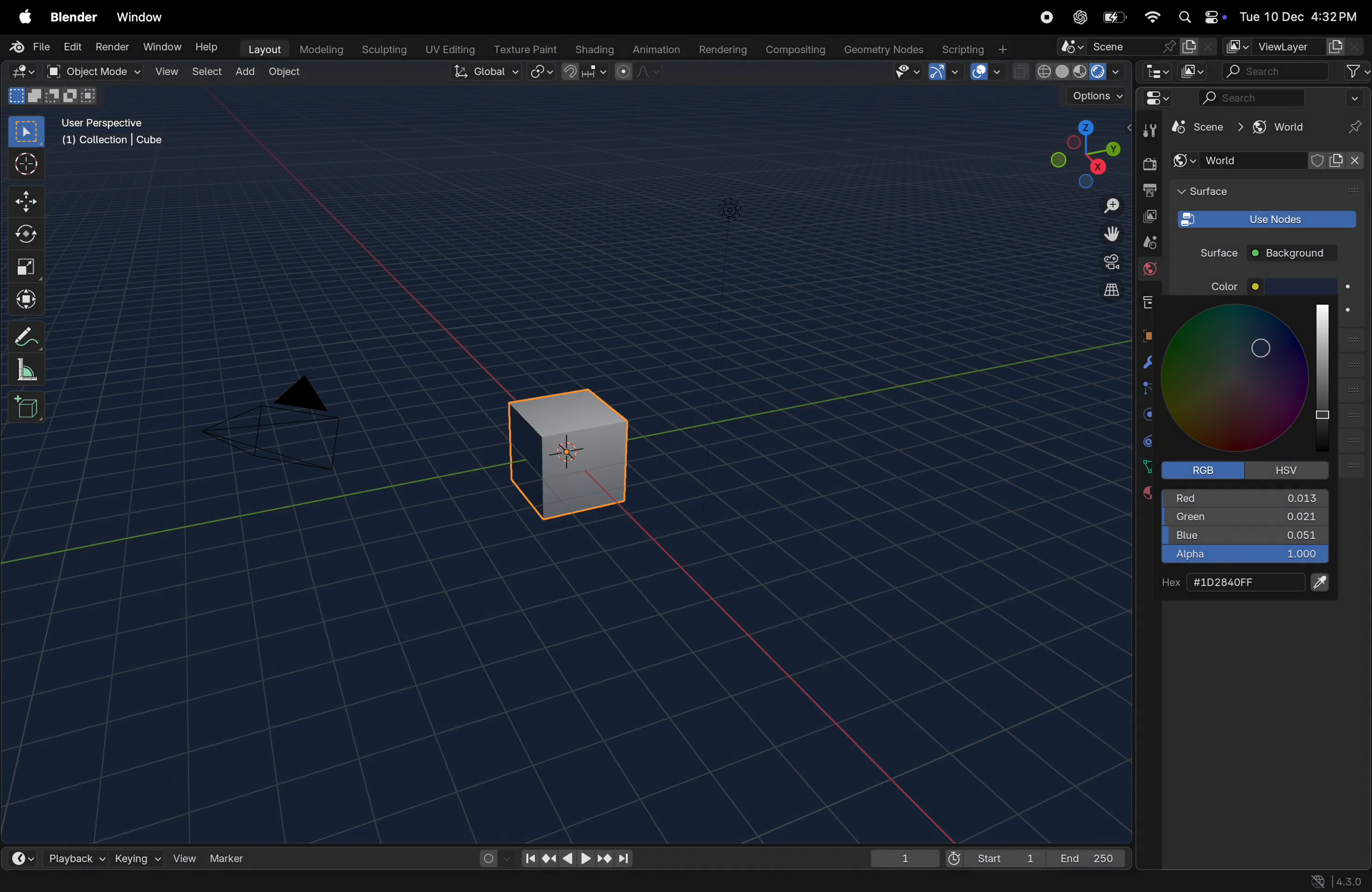  Describe the element at coordinates (1088, 99) in the screenshot. I see `options` at that location.